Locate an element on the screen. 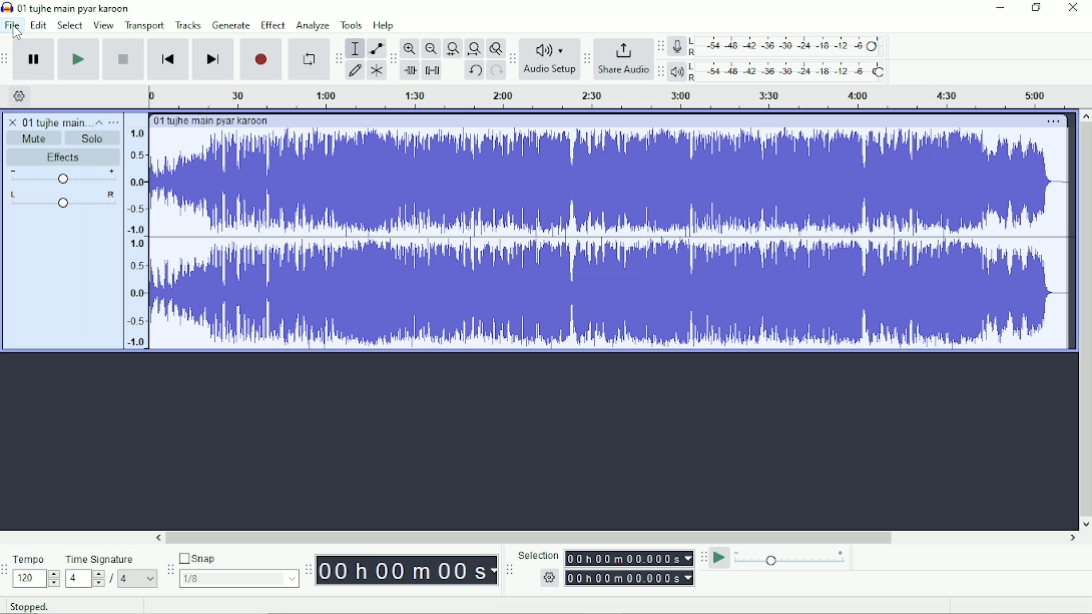 This screenshot has width=1092, height=614. Pause is located at coordinates (34, 60).